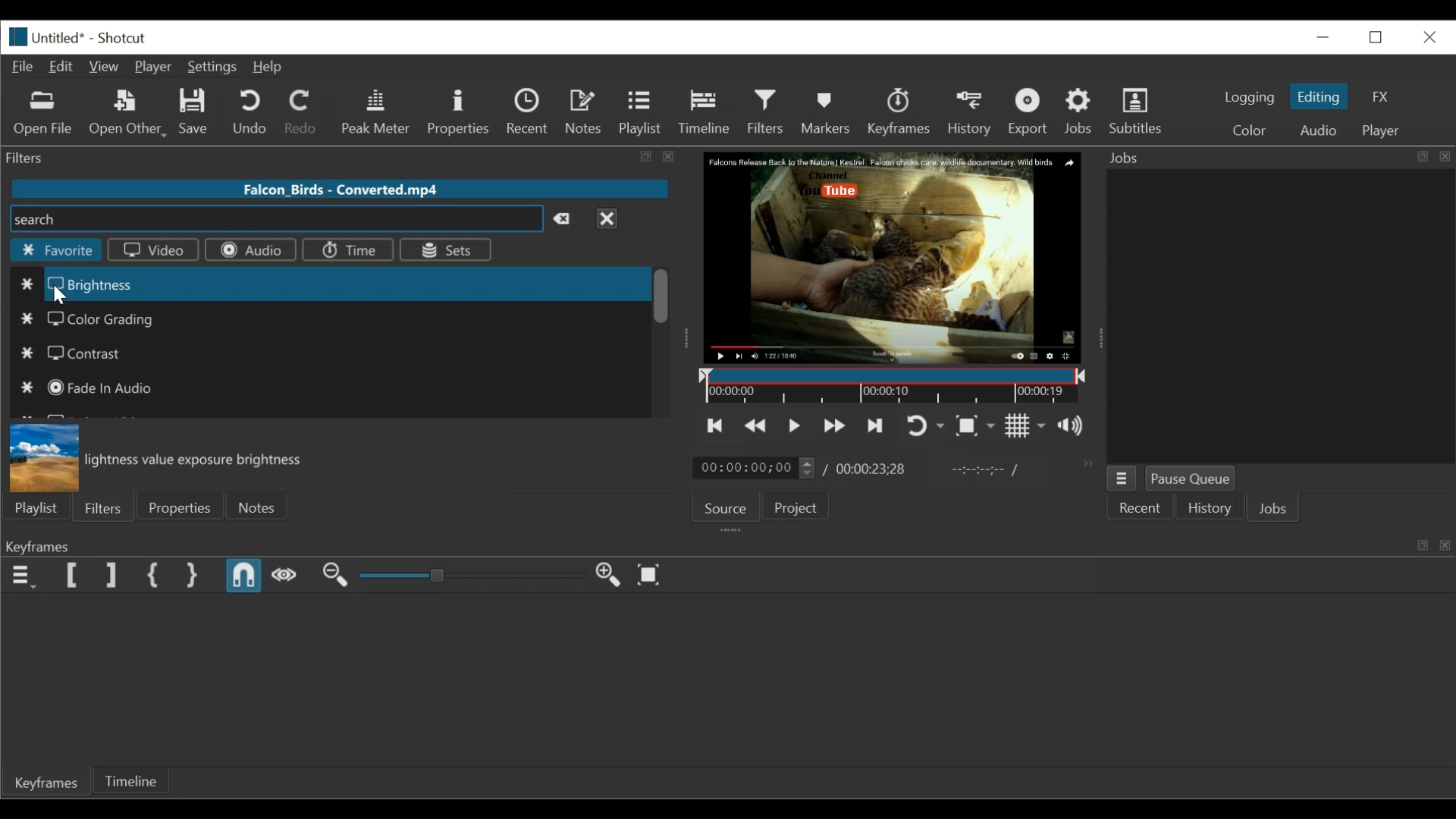 The height and width of the screenshot is (819, 1456). Describe the element at coordinates (252, 249) in the screenshot. I see `Audio` at that location.